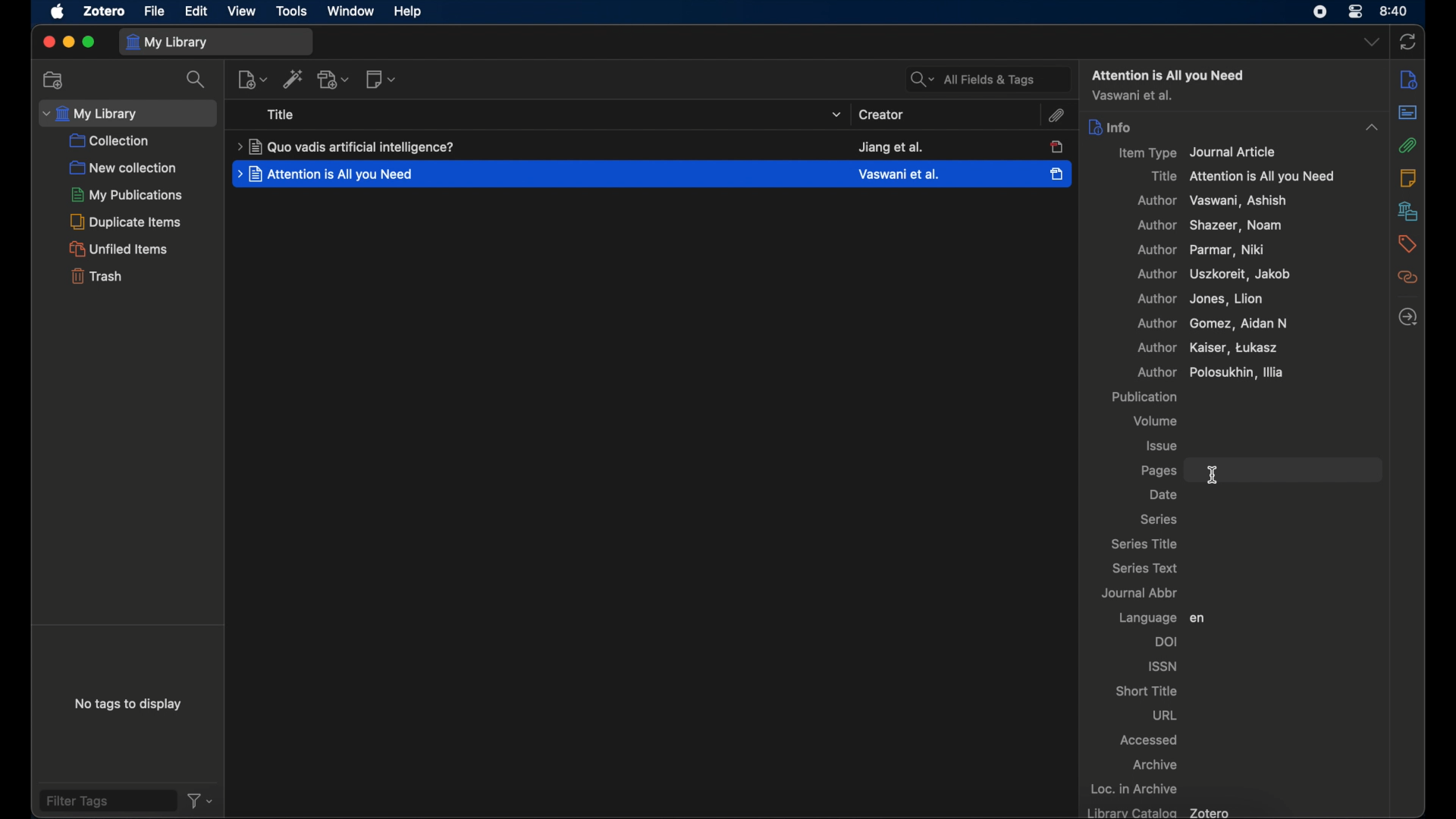 The width and height of the screenshot is (1456, 819). I want to click on archive, so click(1156, 764).